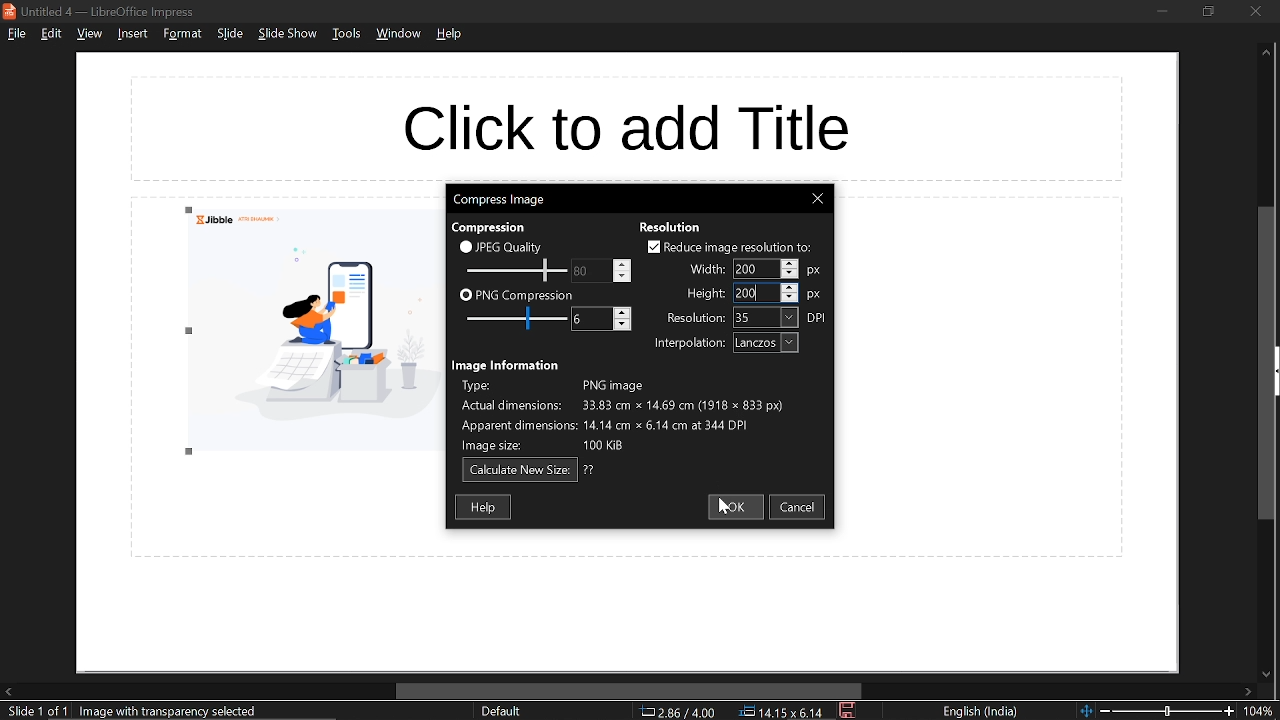 The width and height of the screenshot is (1280, 720). What do you see at coordinates (1266, 53) in the screenshot?
I see `Move up` at bounding box center [1266, 53].